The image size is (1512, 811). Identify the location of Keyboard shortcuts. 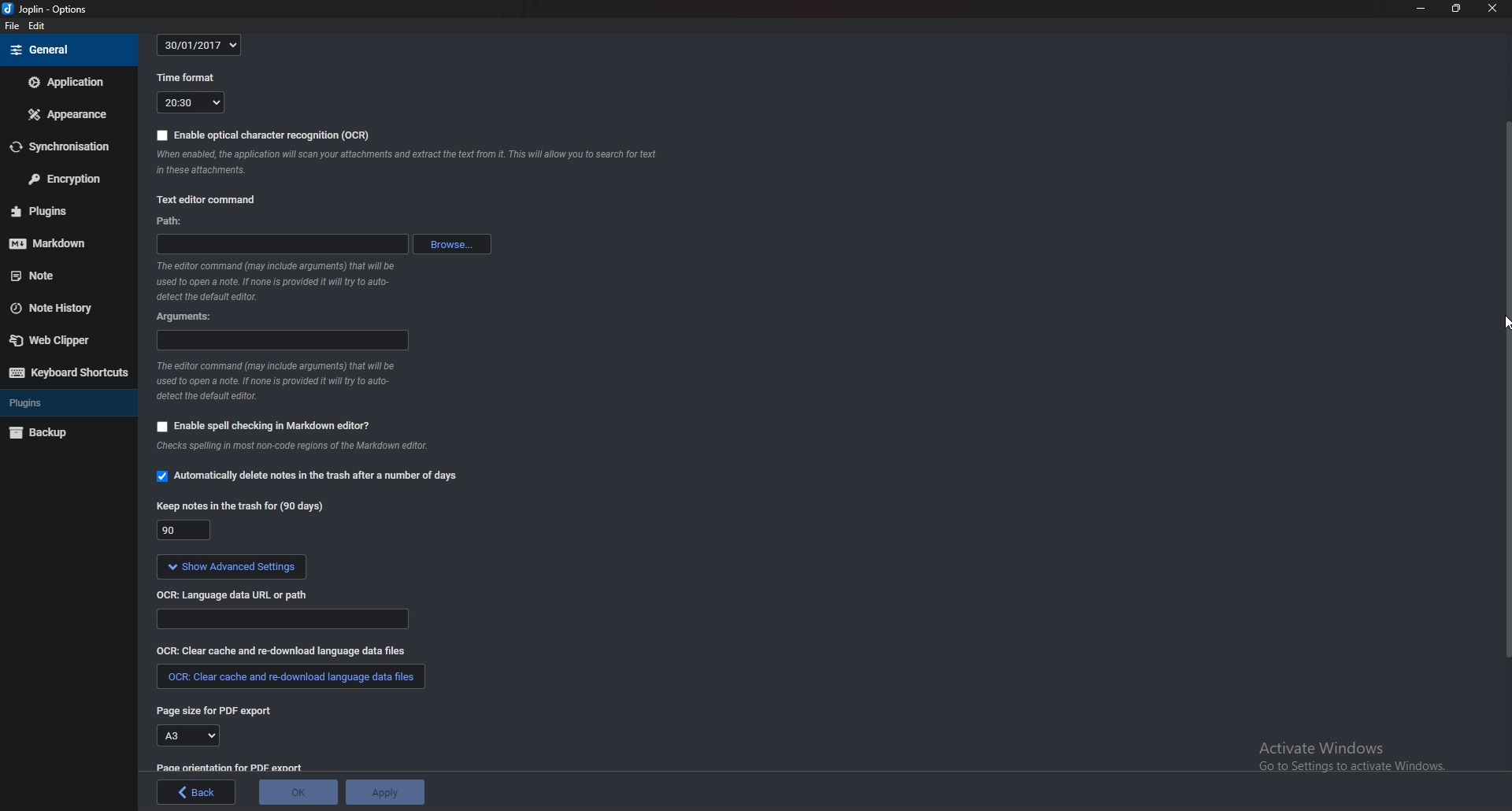
(67, 374).